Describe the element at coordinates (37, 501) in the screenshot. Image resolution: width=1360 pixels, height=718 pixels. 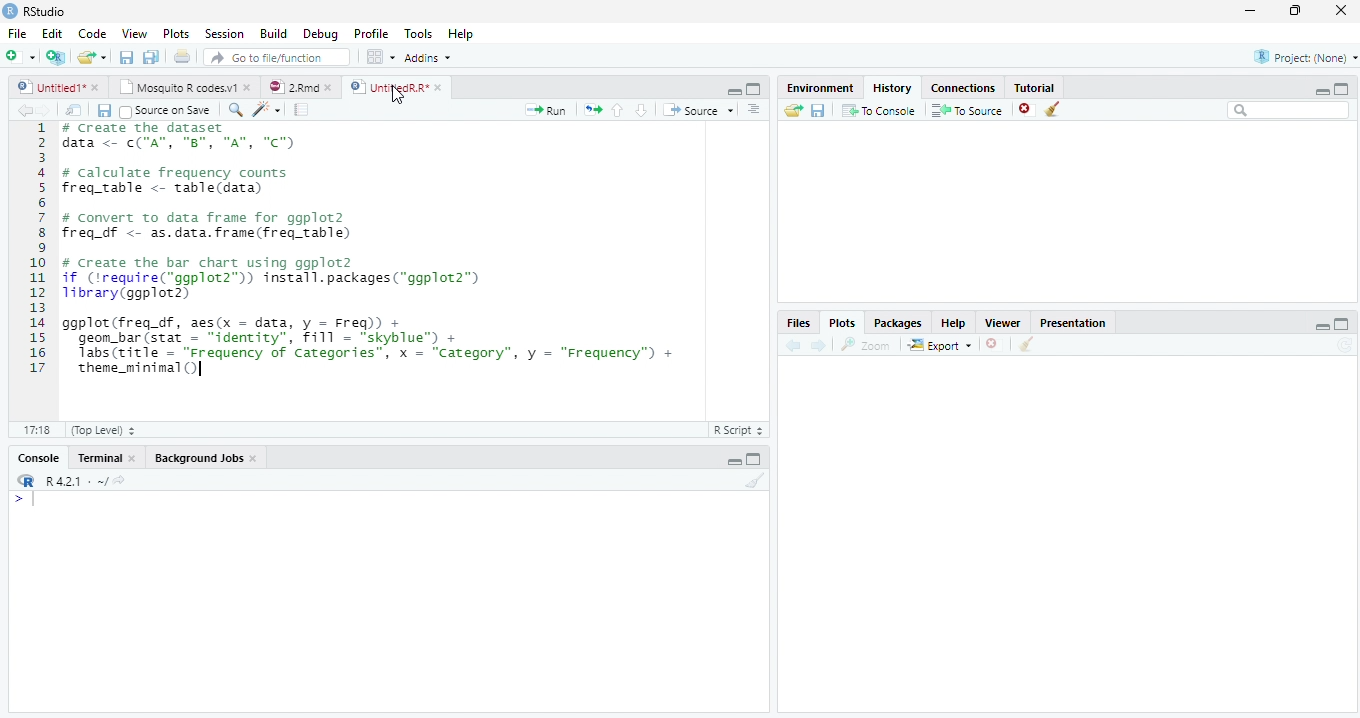
I see `Cursor` at that location.